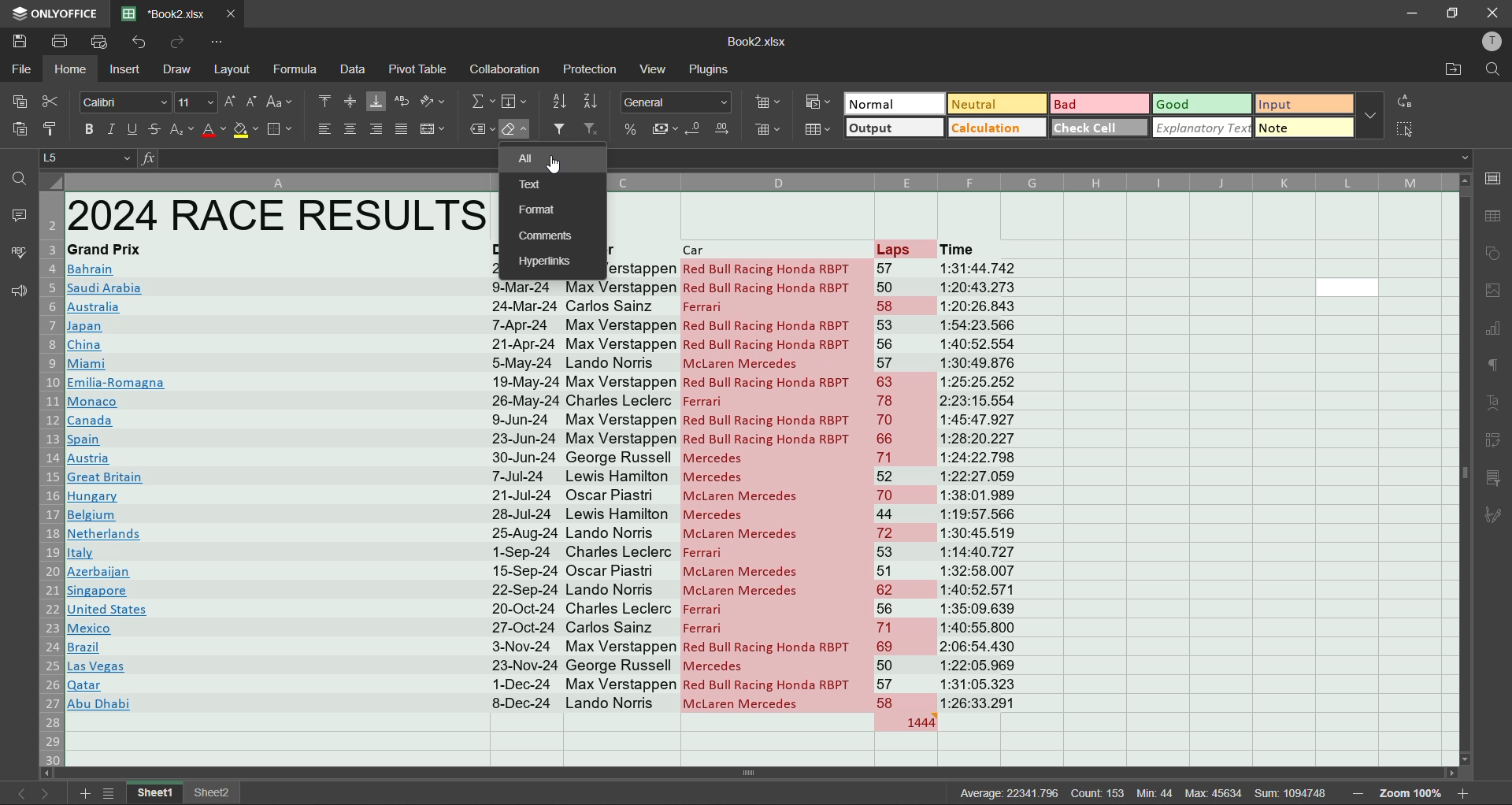 This screenshot has width=1512, height=805. What do you see at coordinates (1291, 792) in the screenshot?
I see `sum` at bounding box center [1291, 792].